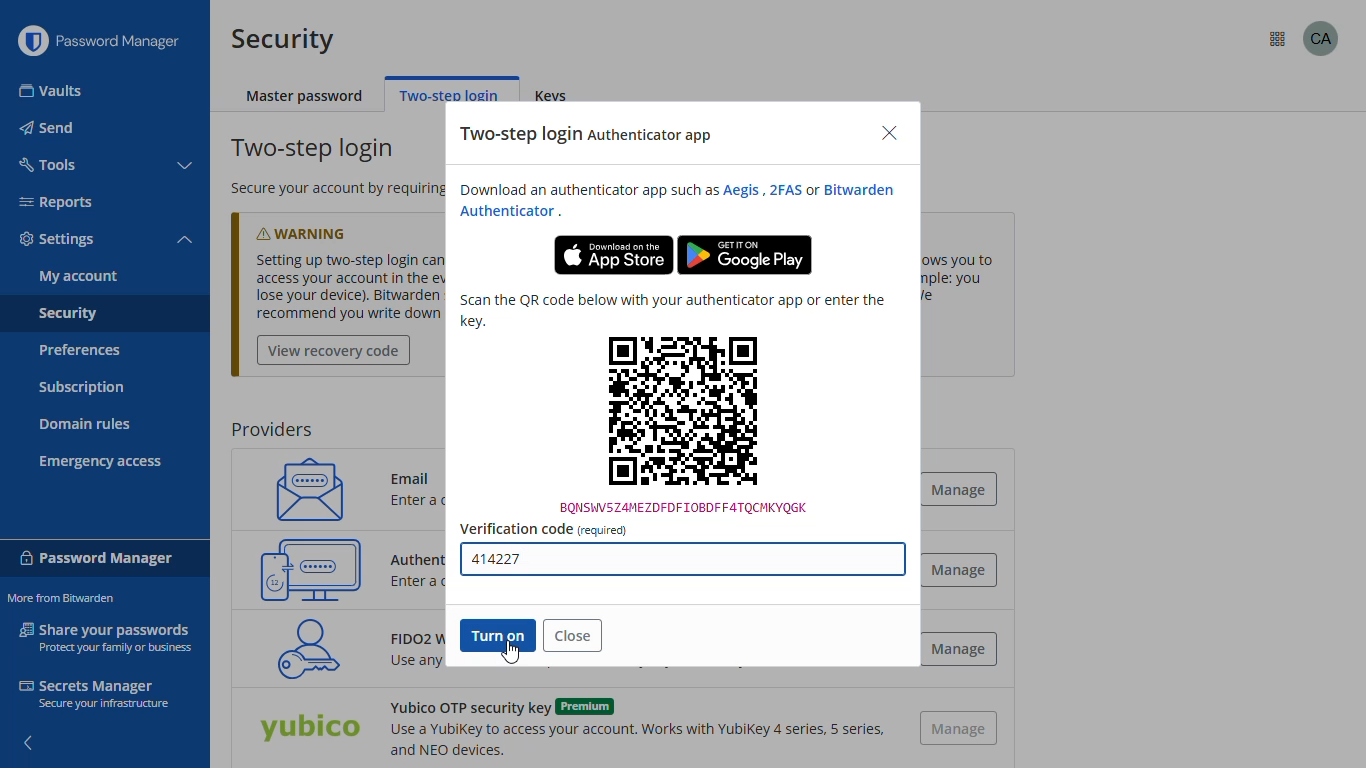 The image size is (1366, 768). What do you see at coordinates (496, 635) in the screenshot?
I see `turn on` at bounding box center [496, 635].